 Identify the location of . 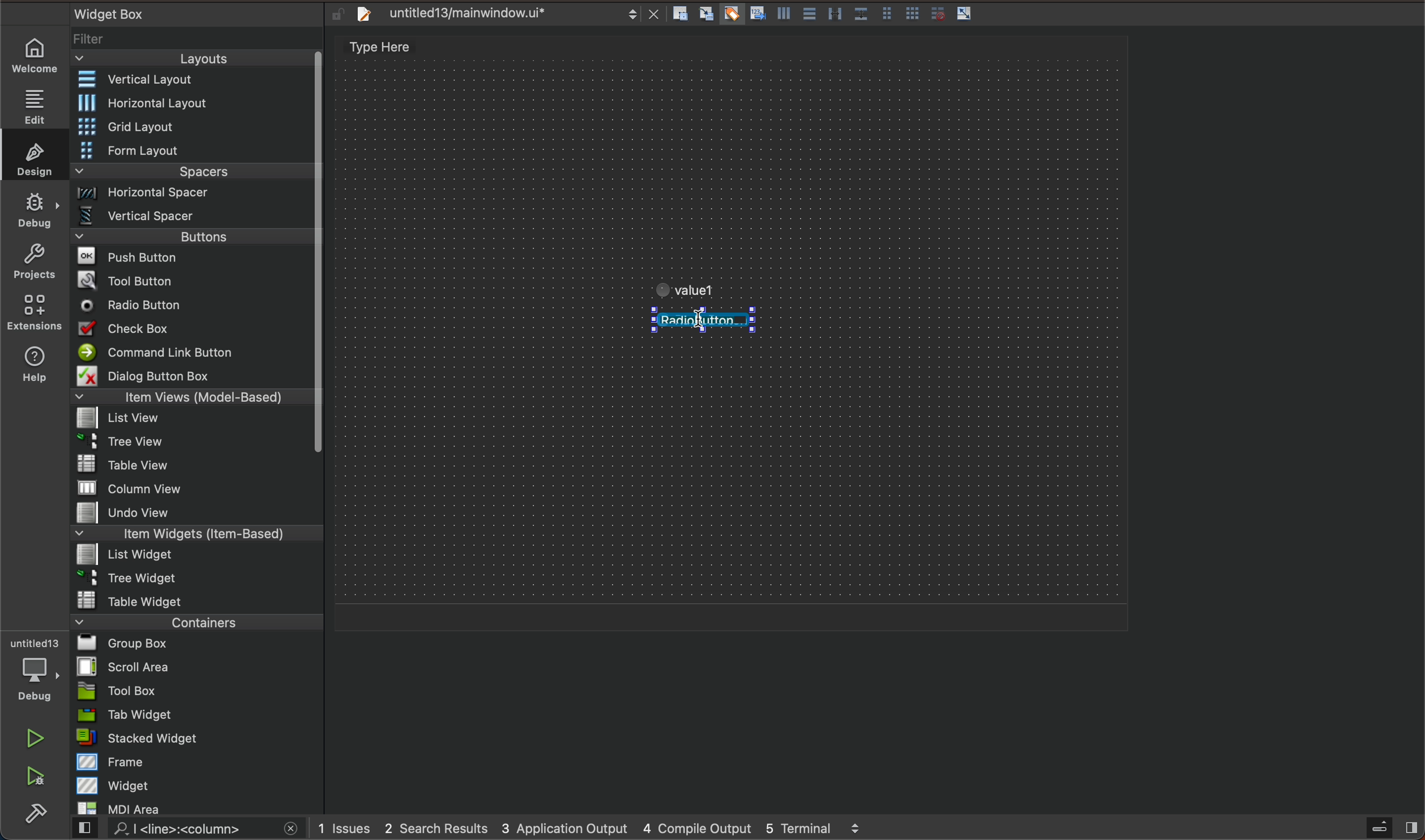
(965, 14).